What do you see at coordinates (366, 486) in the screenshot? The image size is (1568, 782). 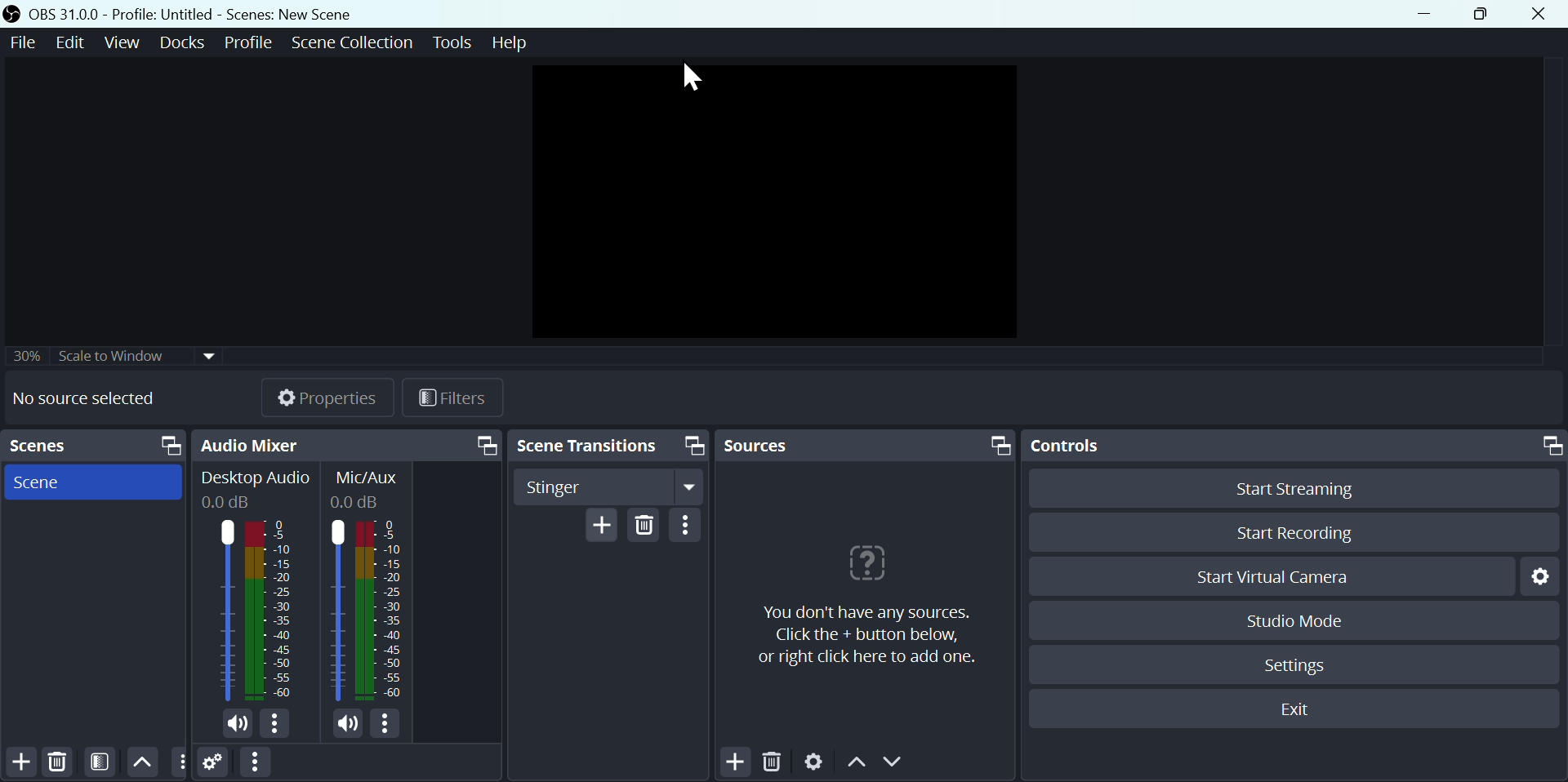 I see `Mic/Aux` at bounding box center [366, 486].